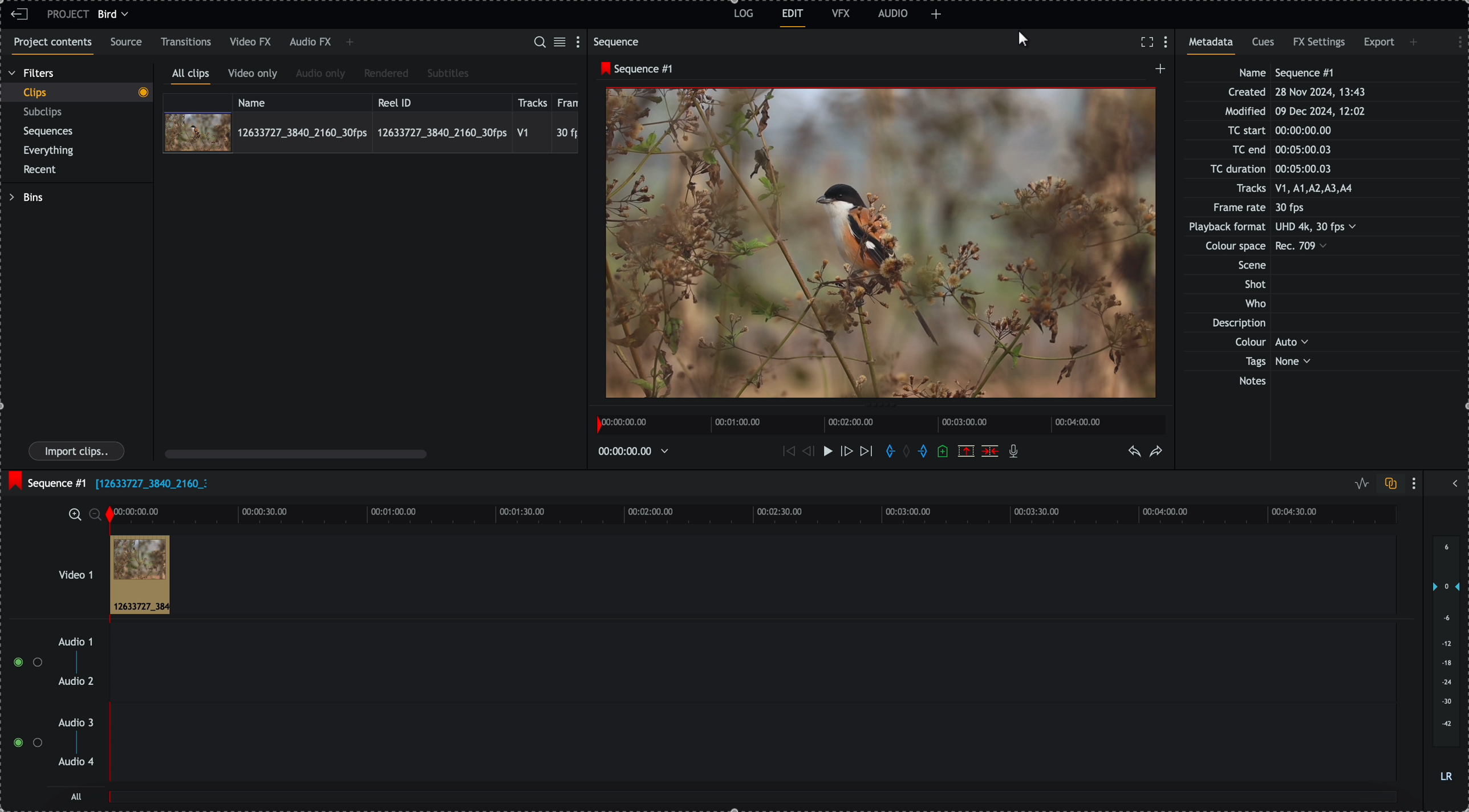 The height and width of the screenshot is (812, 1469). Describe the element at coordinates (1454, 482) in the screenshot. I see `show/hide full audio mix` at that location.